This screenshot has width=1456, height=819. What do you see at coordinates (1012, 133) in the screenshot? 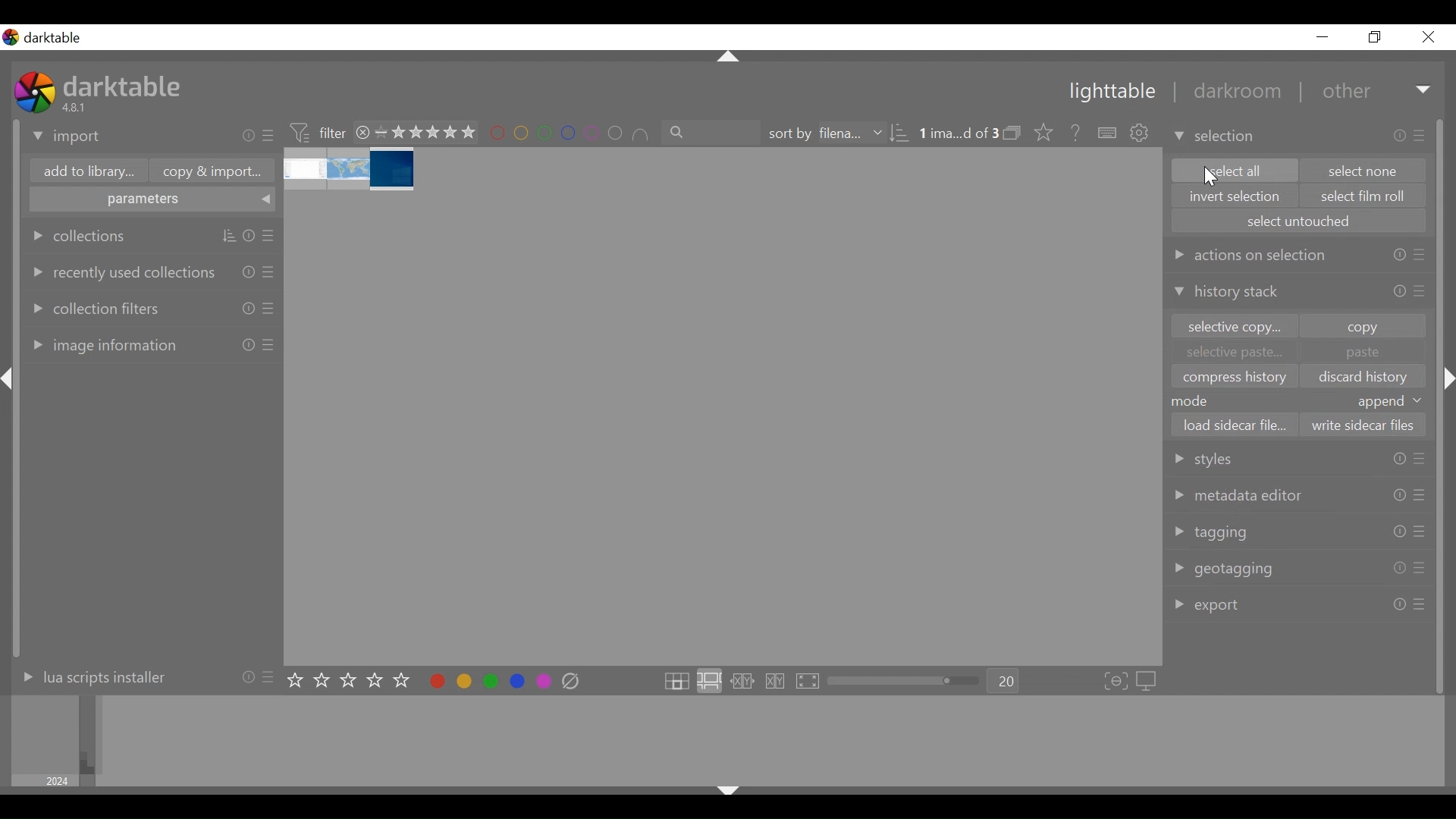
I see `expand/collapse grouped images` at bounding box center [1012, 133].